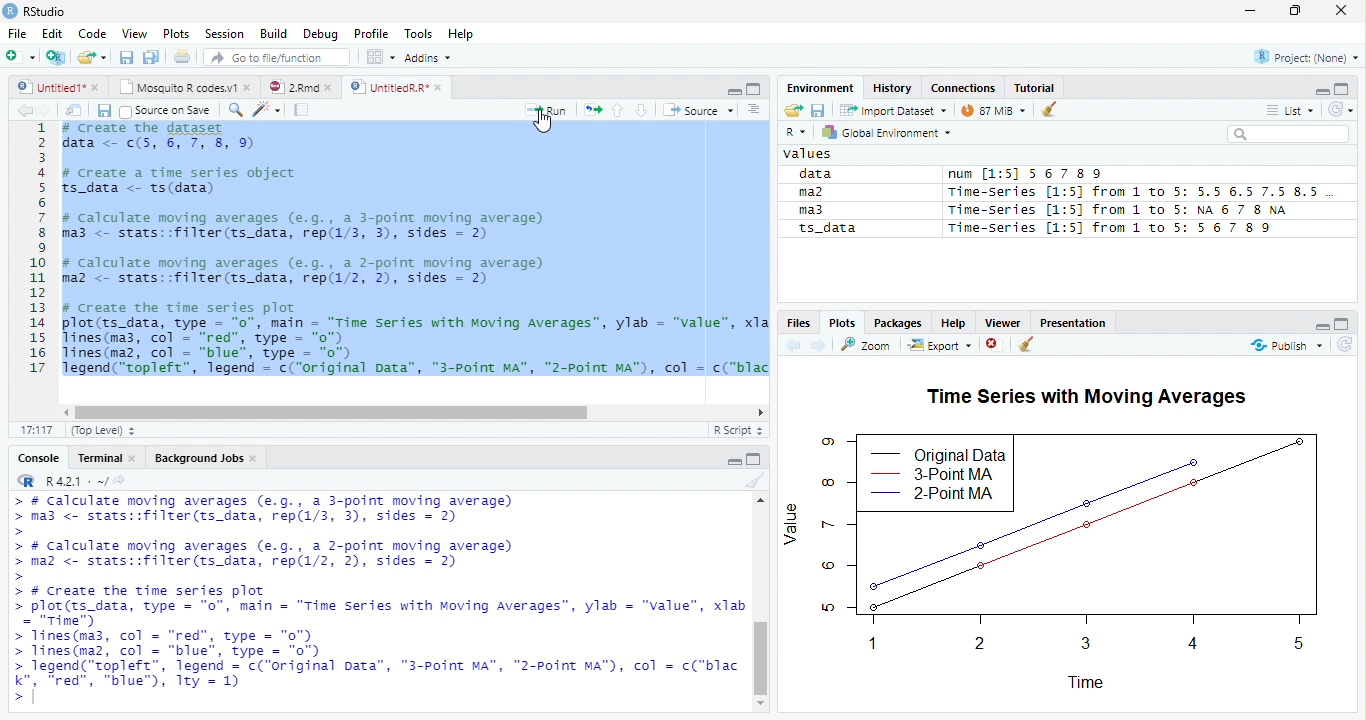 The height and width of the screenshot is (720, 1366). I want to click on ts_data, so click(829, 230).